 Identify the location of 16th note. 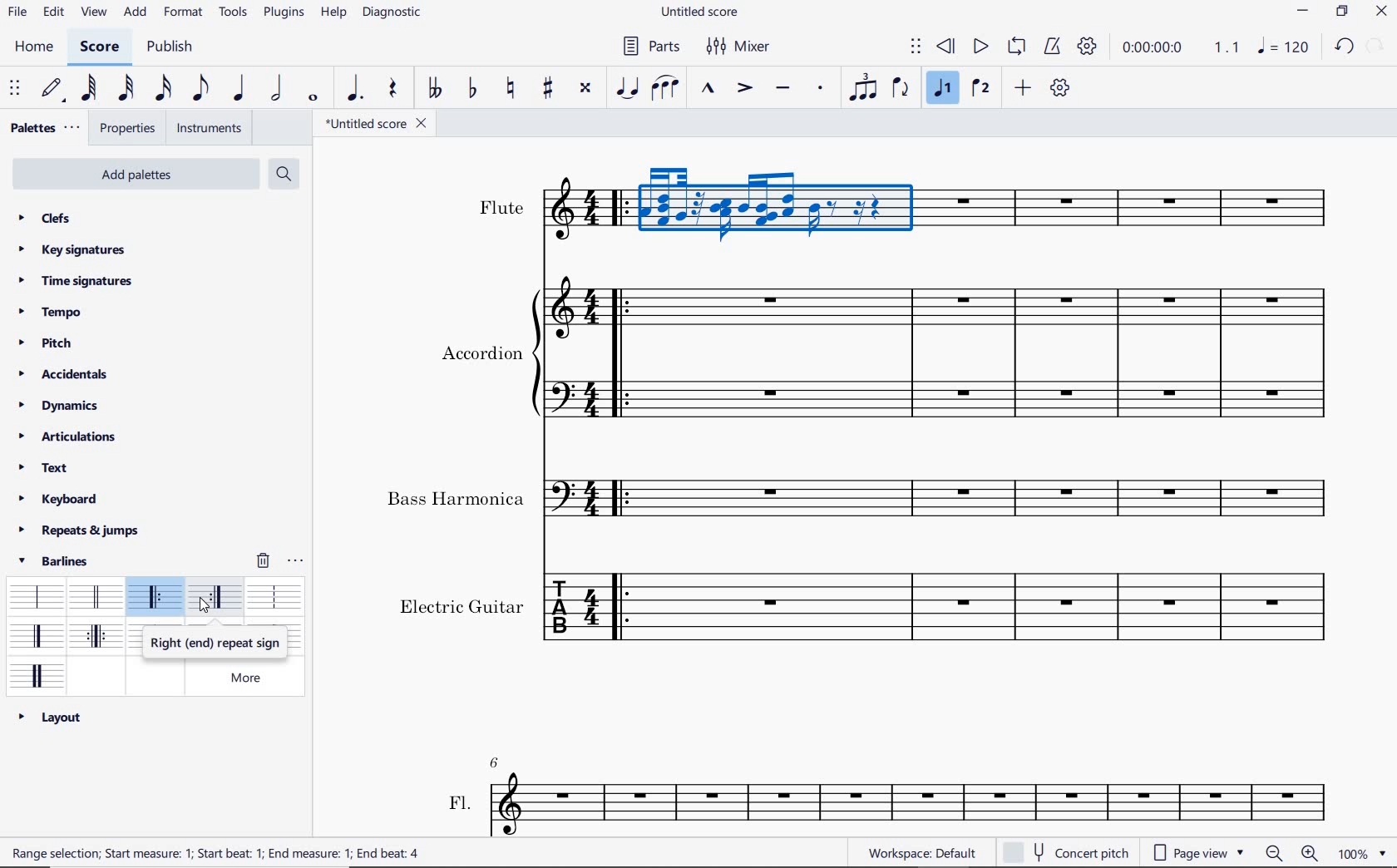
(164, 89).